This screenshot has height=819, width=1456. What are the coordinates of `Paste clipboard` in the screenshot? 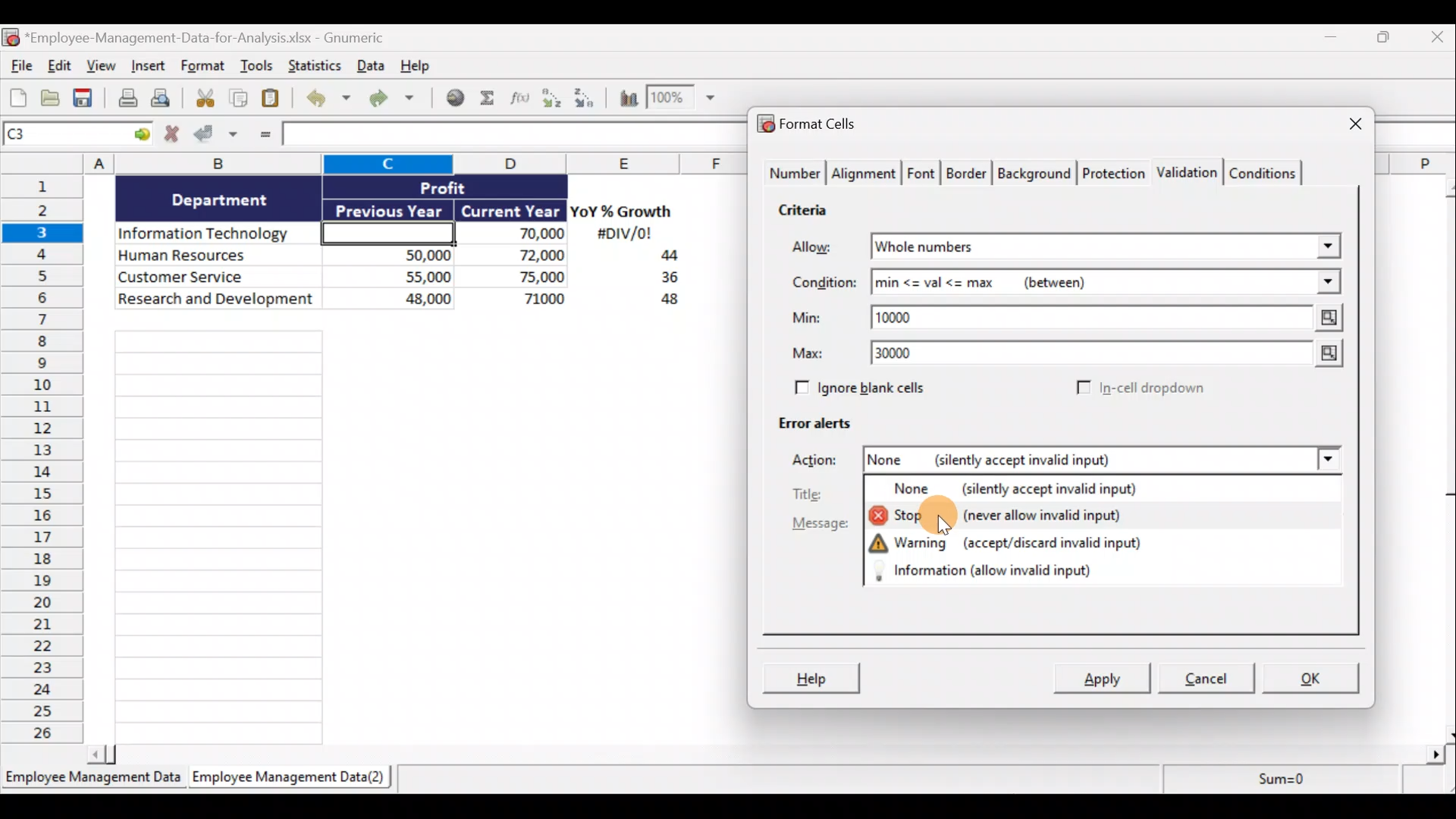 It's located at (275, 99).